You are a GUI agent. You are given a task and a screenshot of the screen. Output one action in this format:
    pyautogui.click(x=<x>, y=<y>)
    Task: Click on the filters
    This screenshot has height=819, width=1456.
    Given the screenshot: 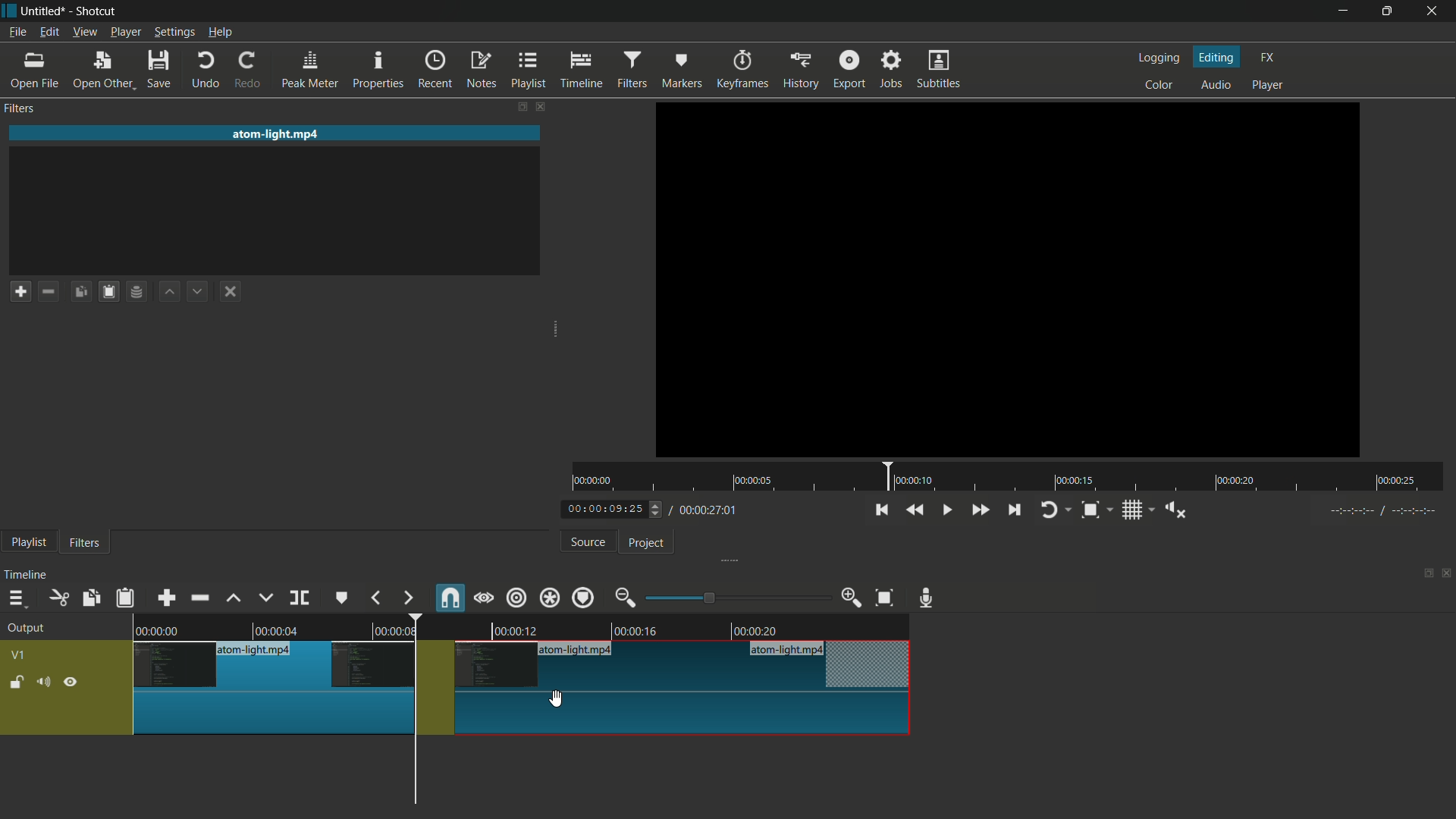 What is the action you would take?
    pyautogui.click(x=85, y=544)
    